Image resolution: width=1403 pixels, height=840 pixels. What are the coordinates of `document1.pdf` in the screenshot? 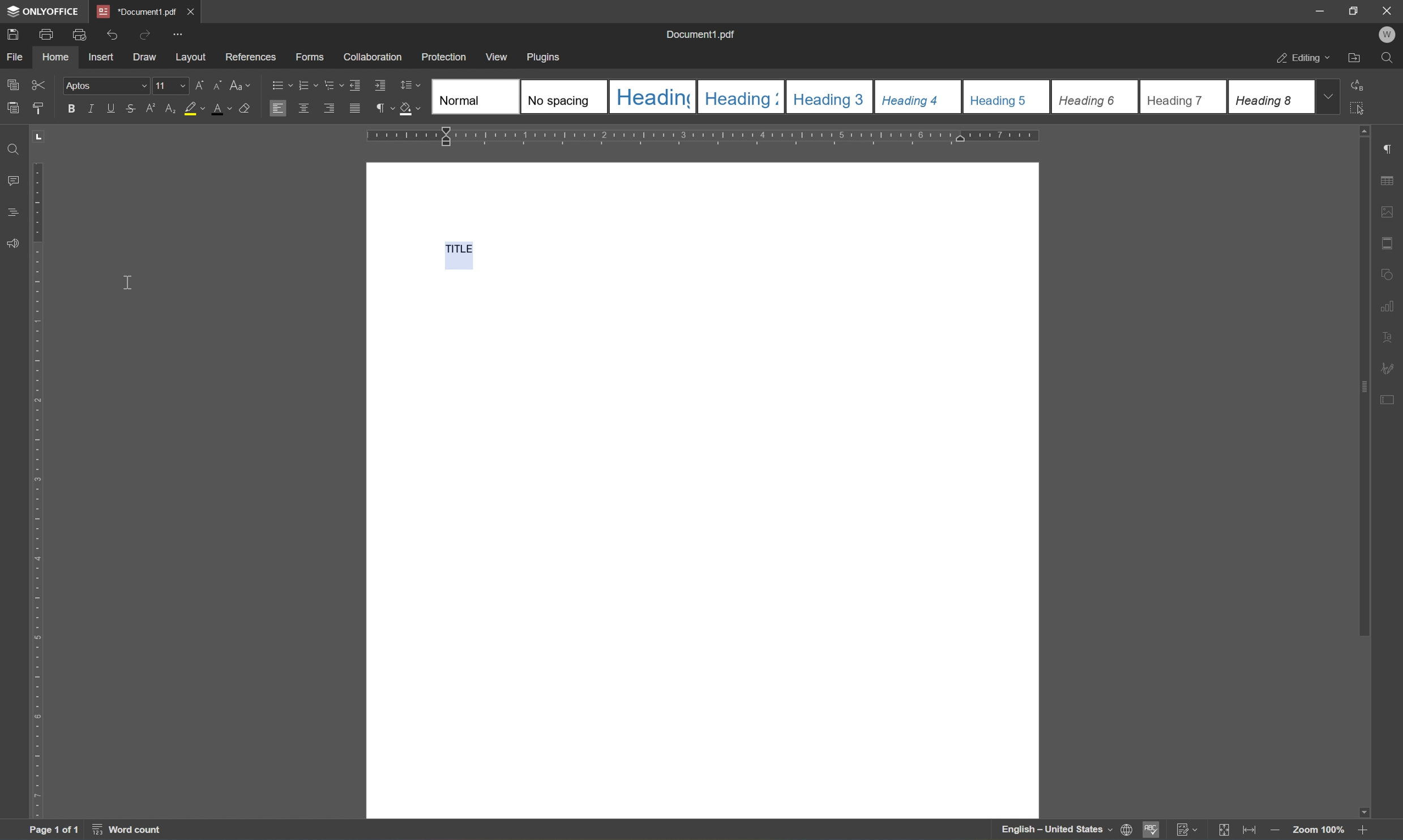 It's located at (135, 12).